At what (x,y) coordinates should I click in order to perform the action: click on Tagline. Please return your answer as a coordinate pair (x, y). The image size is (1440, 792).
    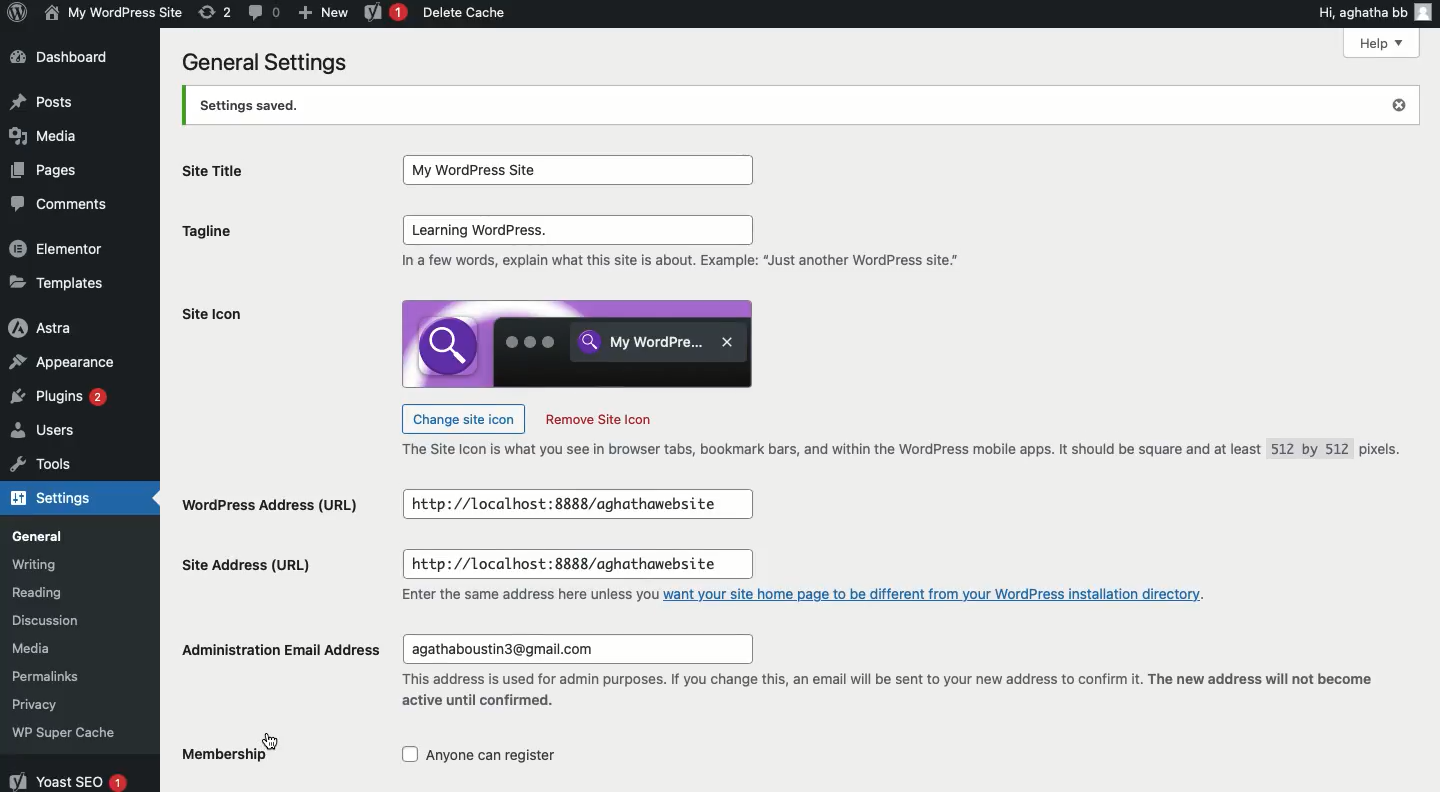
    Looking at the image, I should click on (227, 231).